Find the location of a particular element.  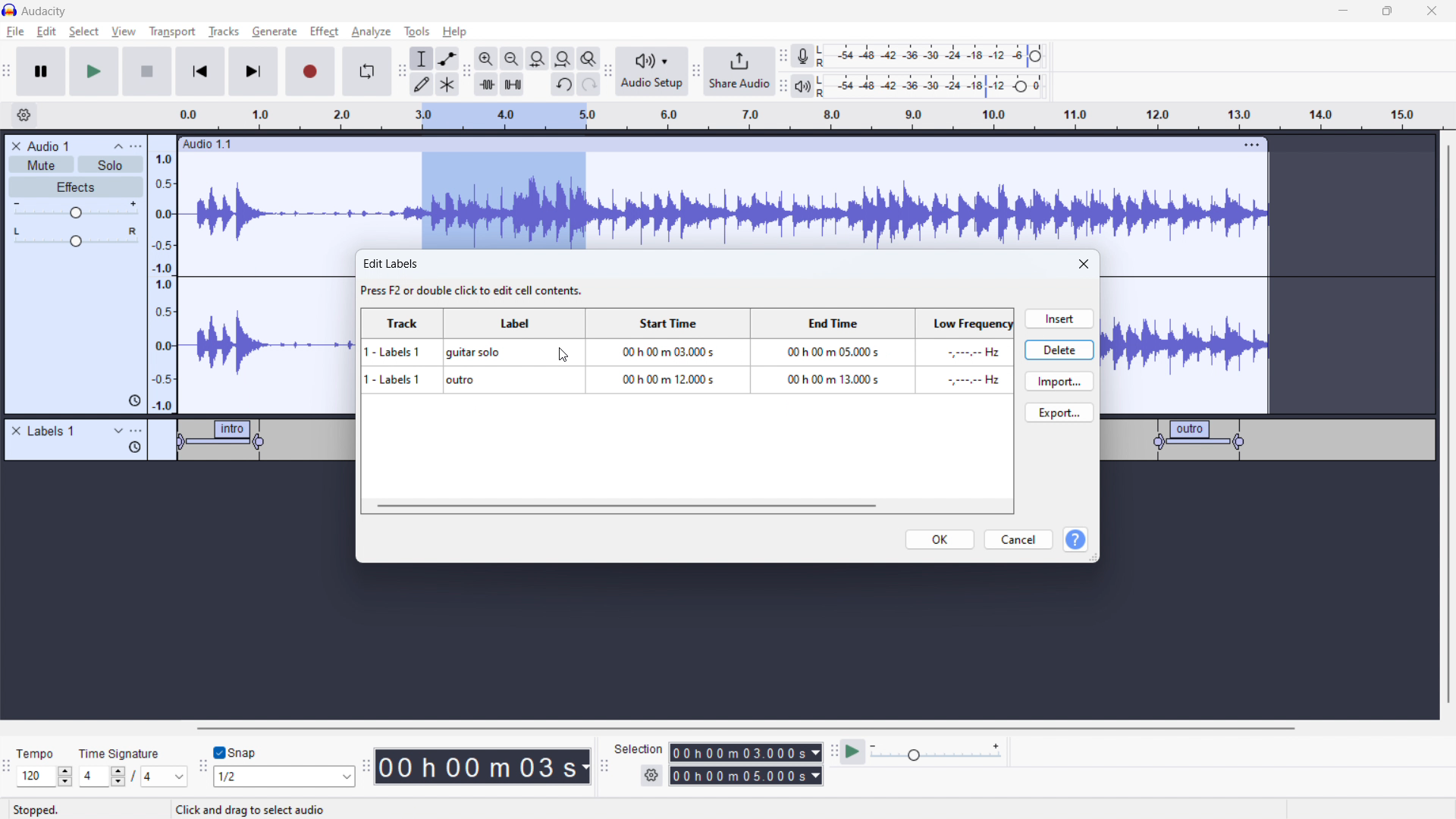

audio wave is located at coordinates (268, 332).